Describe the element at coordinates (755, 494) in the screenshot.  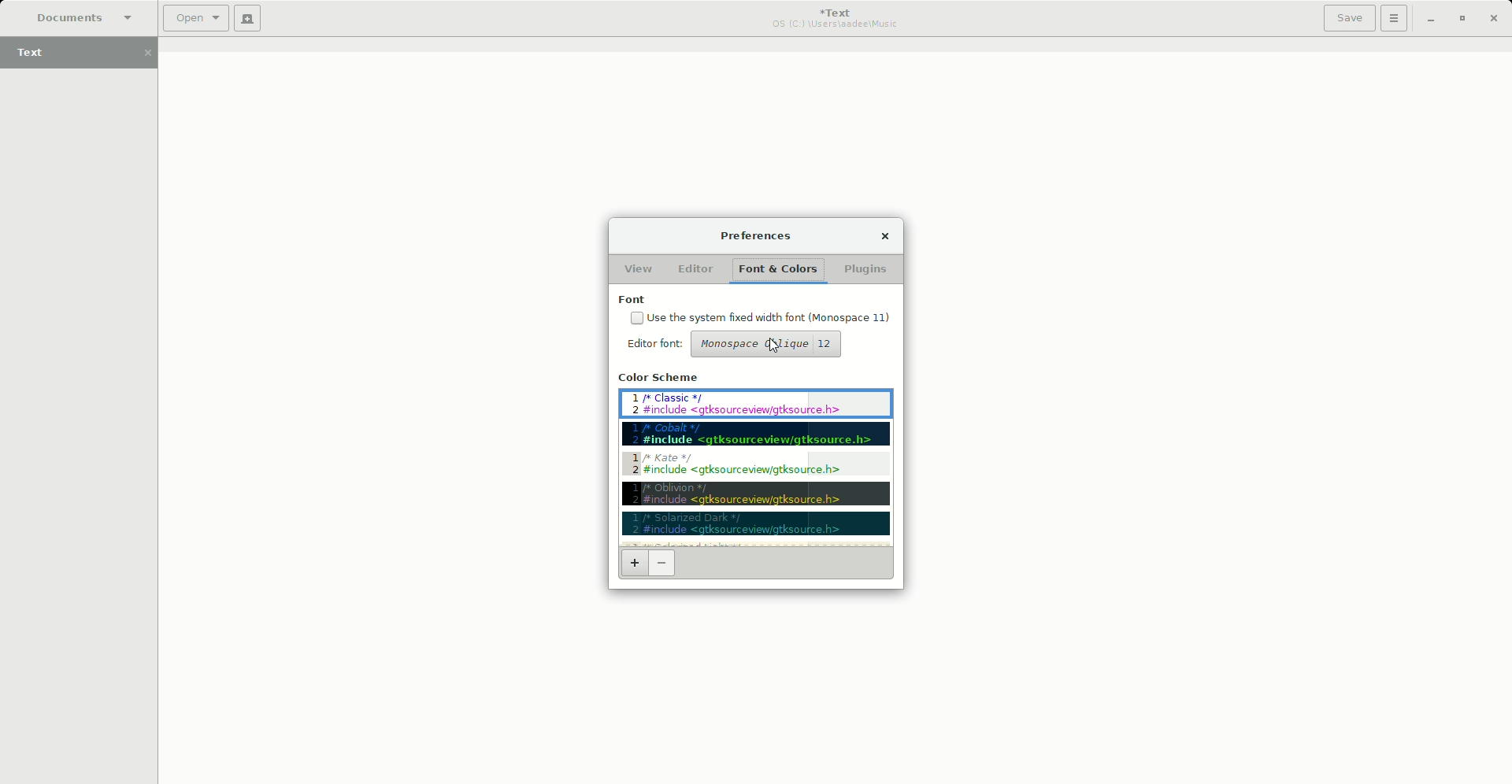
I see `Oblivion` at that location.